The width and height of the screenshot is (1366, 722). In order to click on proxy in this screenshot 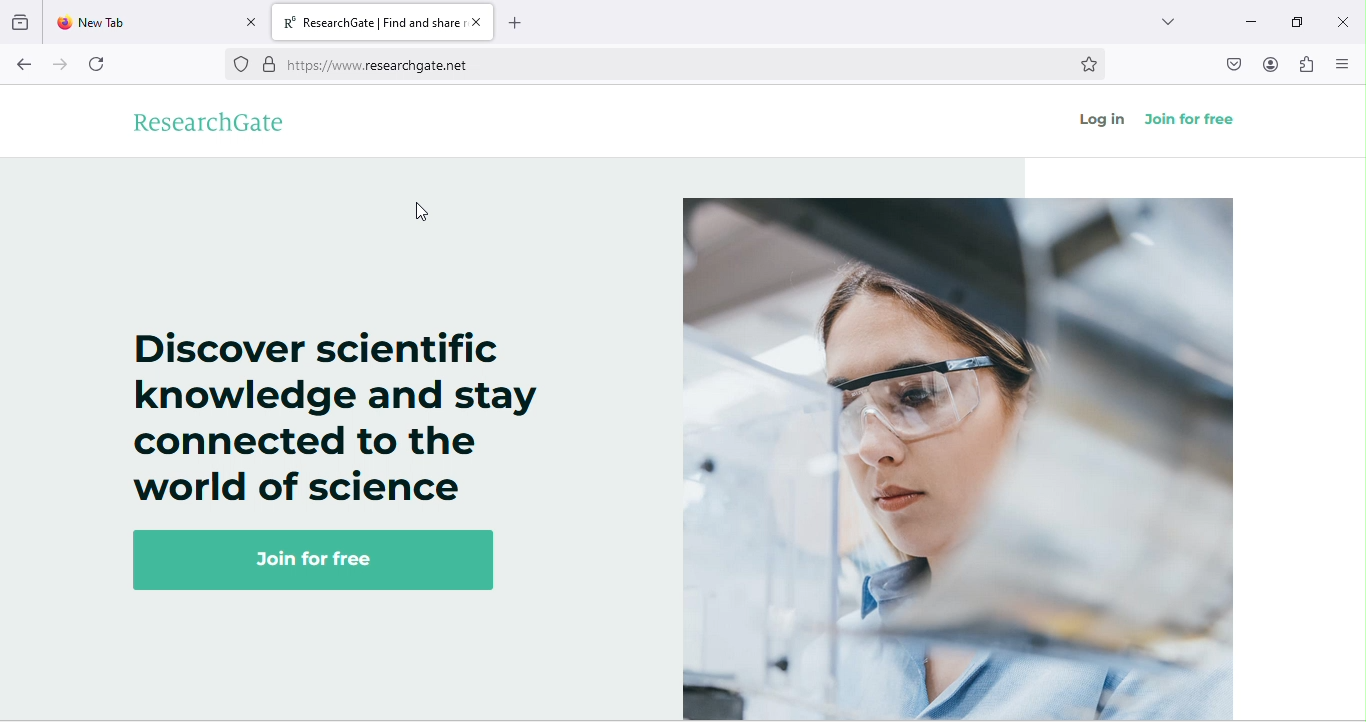, I will do `click(239, 64)`.